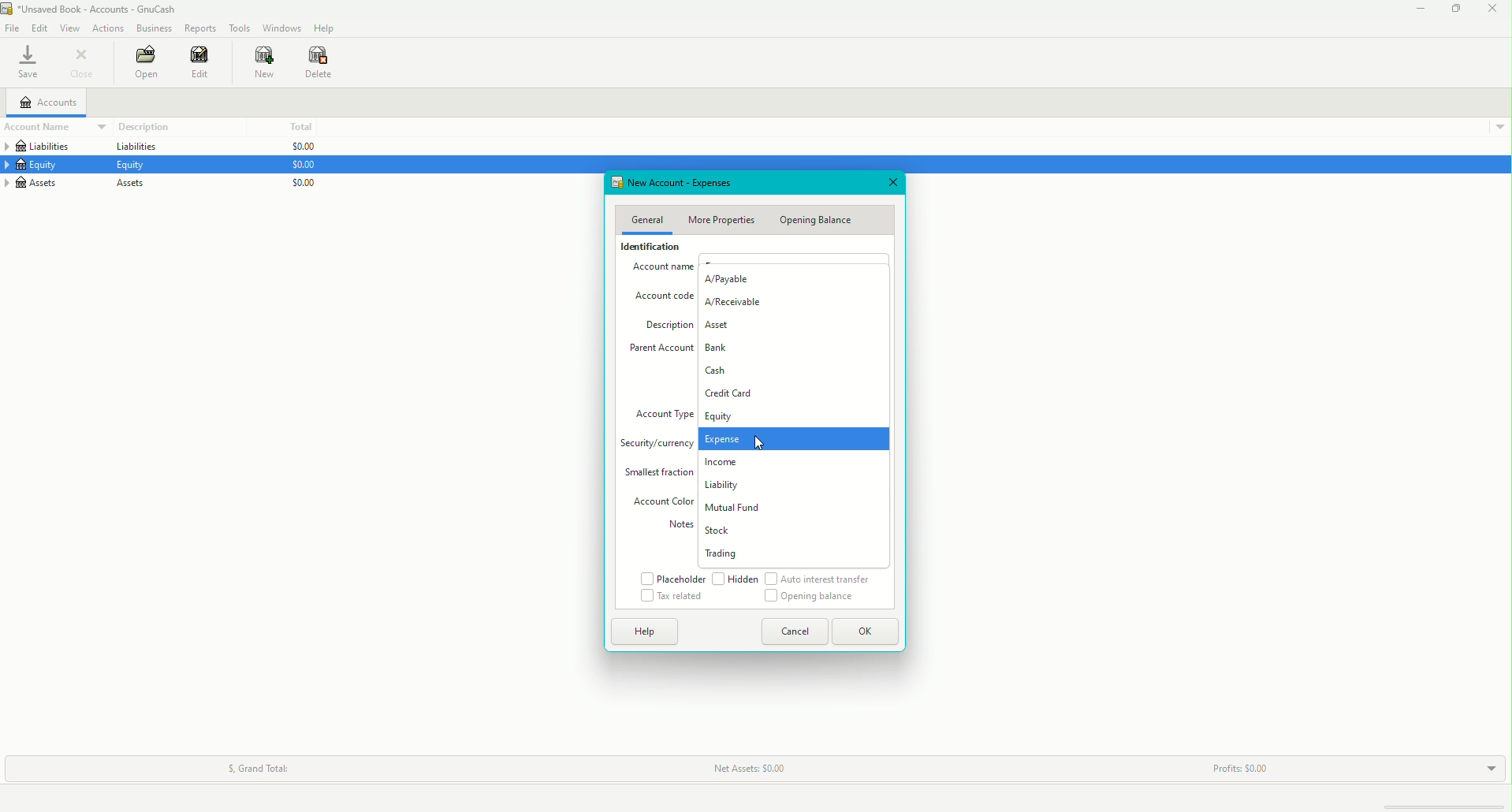  What do you see at coordinates (40, 166) in the screenshot?
I see `Equity` at bounding box center [40, 166].